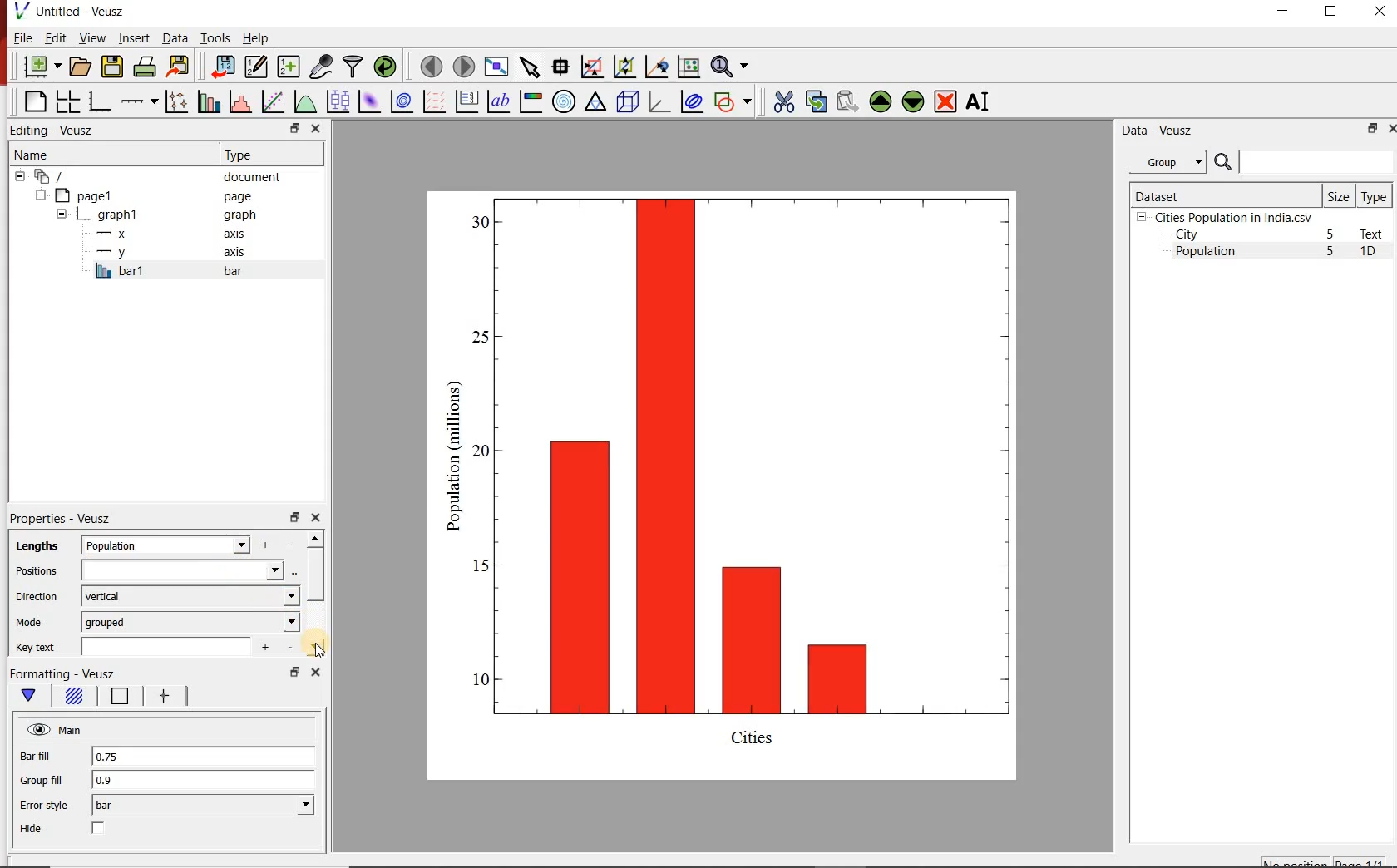 The width and height of the screenshot is (1397, 868). What do you see at coordinates (33, 545) in the screenshot?
I see `Lengths` at bounding box center [33, 545].